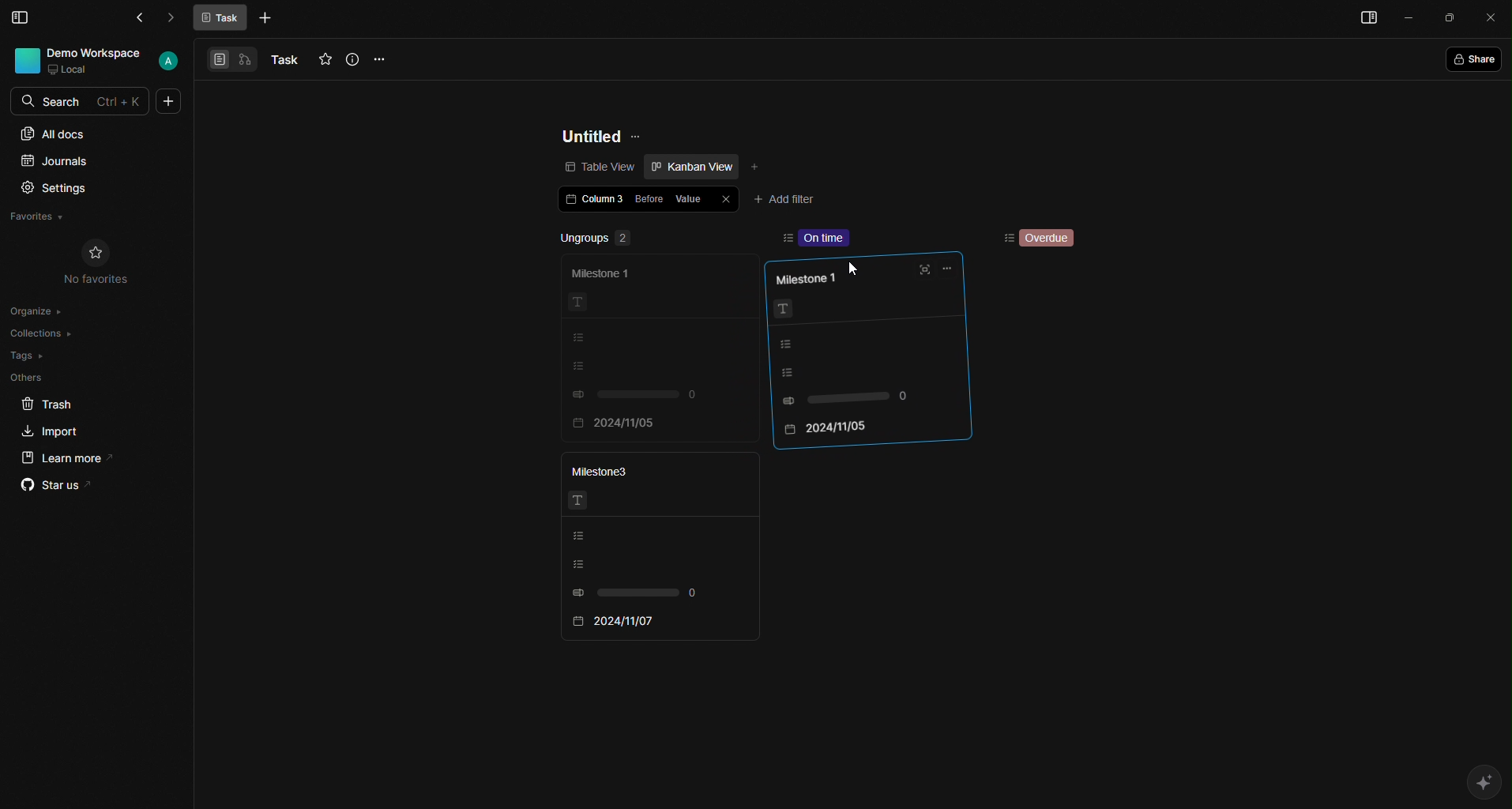 The image size is (1512, 809). What do you see at coordinates (1450, 17) in the screenshot?
I see `Box` at bounding box center [1450, 17].